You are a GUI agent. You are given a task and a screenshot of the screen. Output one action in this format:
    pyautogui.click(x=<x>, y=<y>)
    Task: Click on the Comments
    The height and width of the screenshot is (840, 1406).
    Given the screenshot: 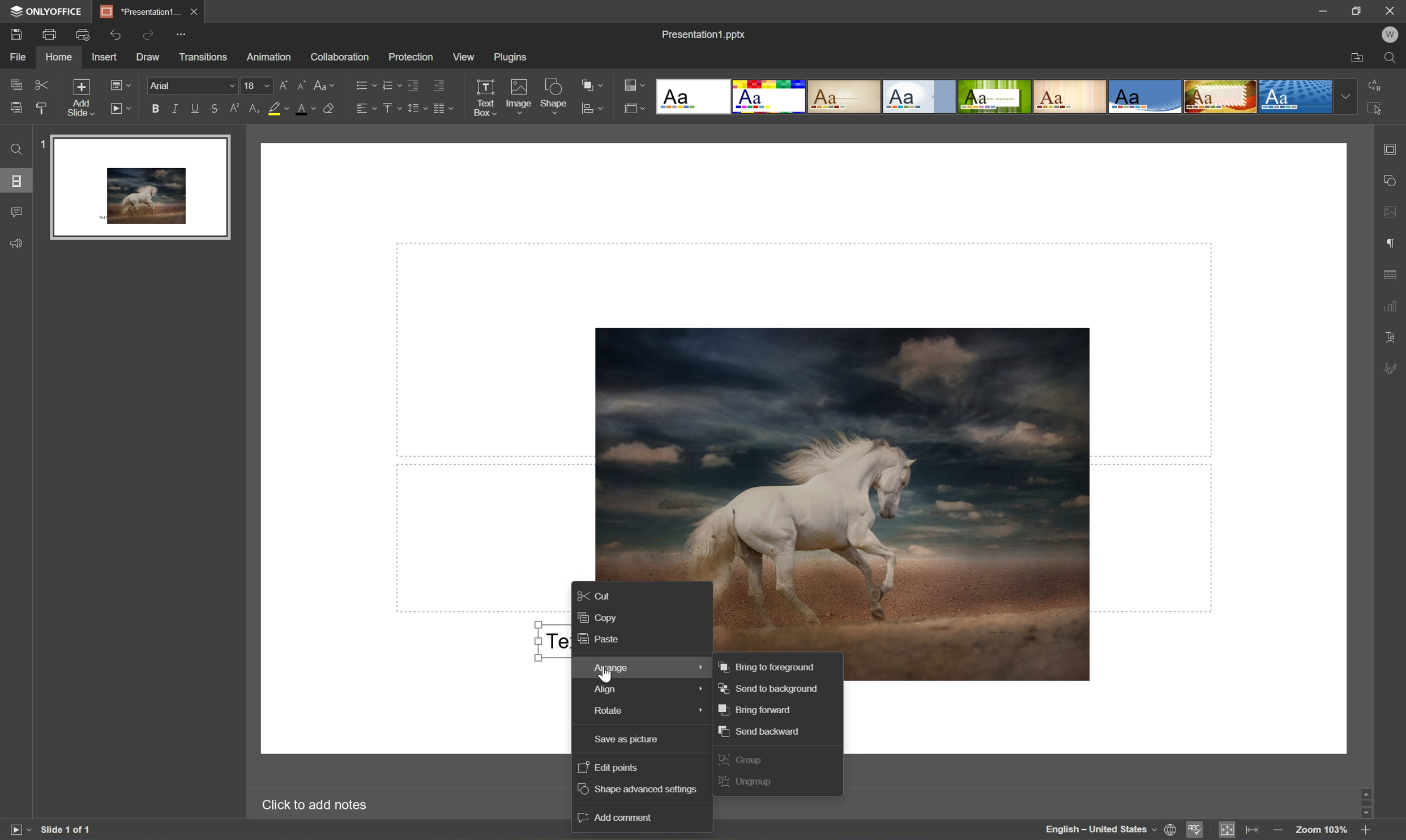 What is the action you would take?
    pyautogui.click(x=17, y=212)
    